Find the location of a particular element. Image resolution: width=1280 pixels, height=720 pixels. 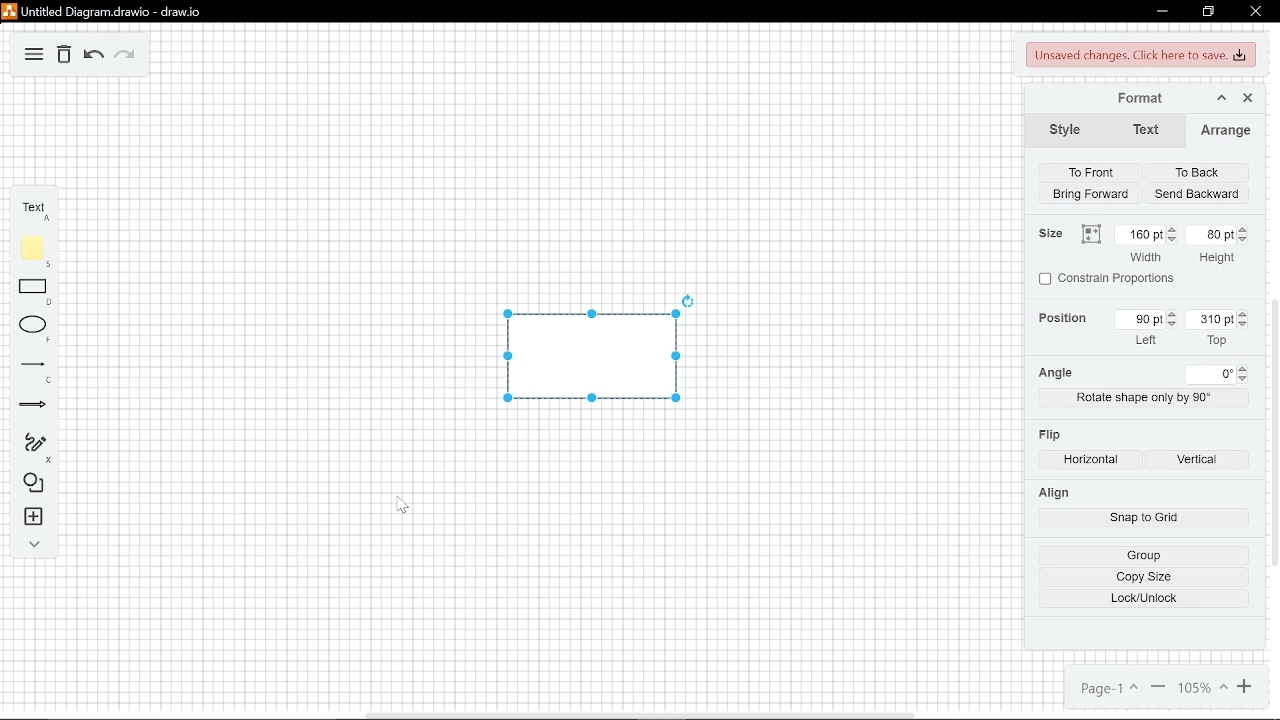

note is located at coordinates (38, 251).